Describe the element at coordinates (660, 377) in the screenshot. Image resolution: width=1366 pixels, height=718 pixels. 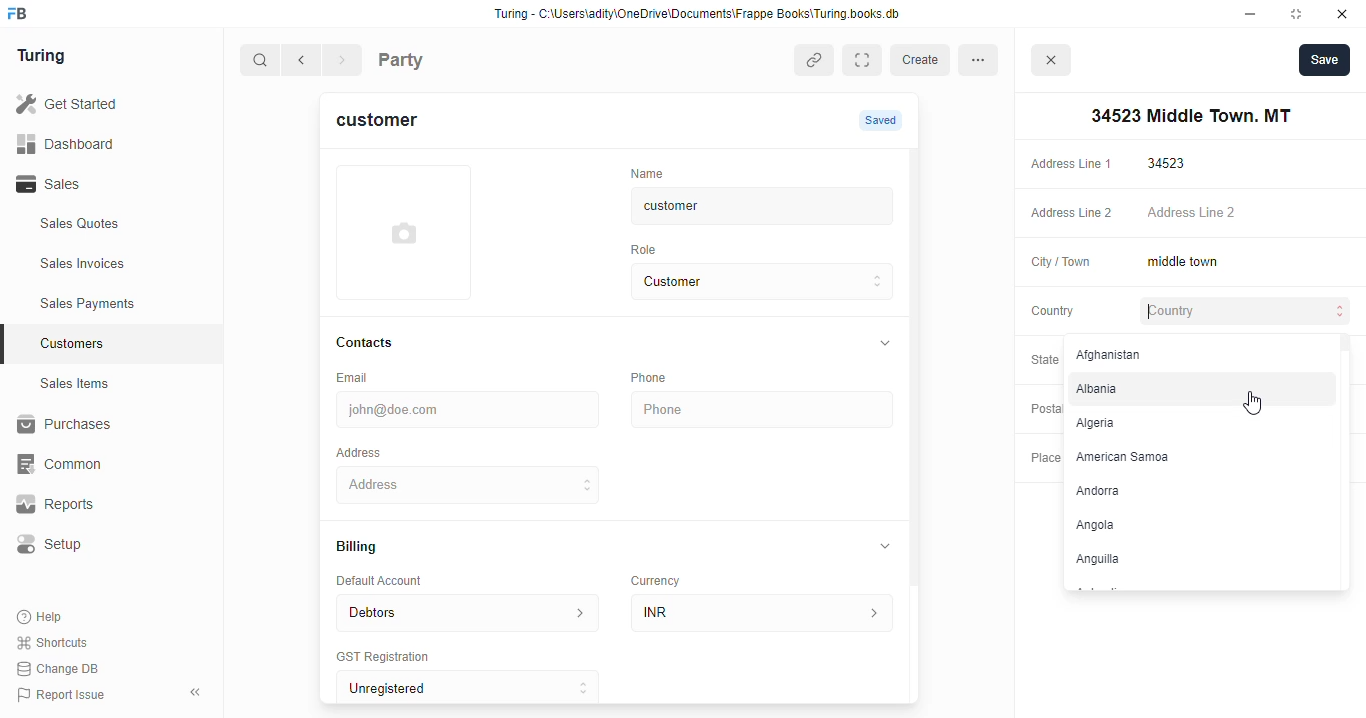
I see `Phone` at that location.